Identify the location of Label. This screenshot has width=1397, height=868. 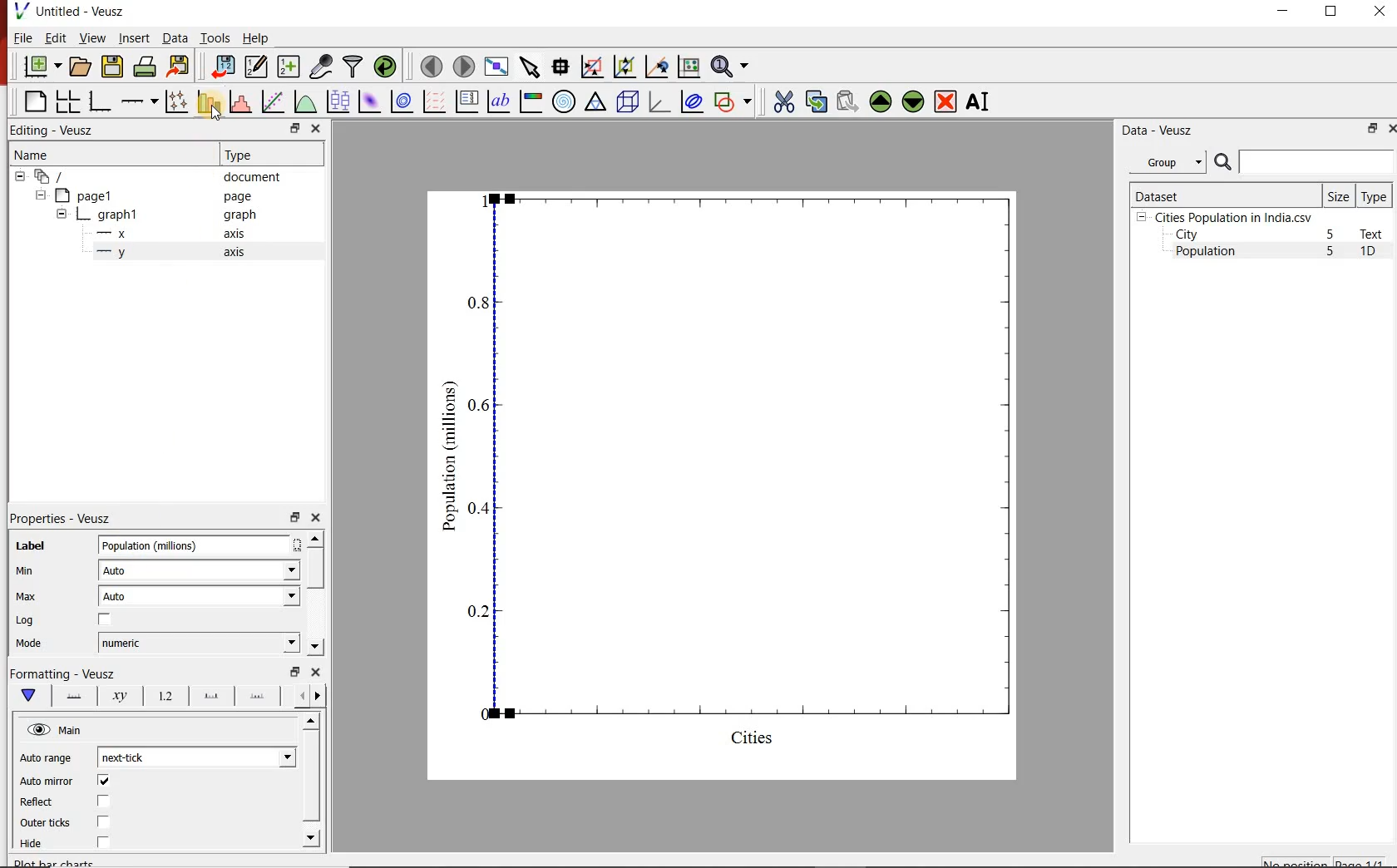
(27, 545).